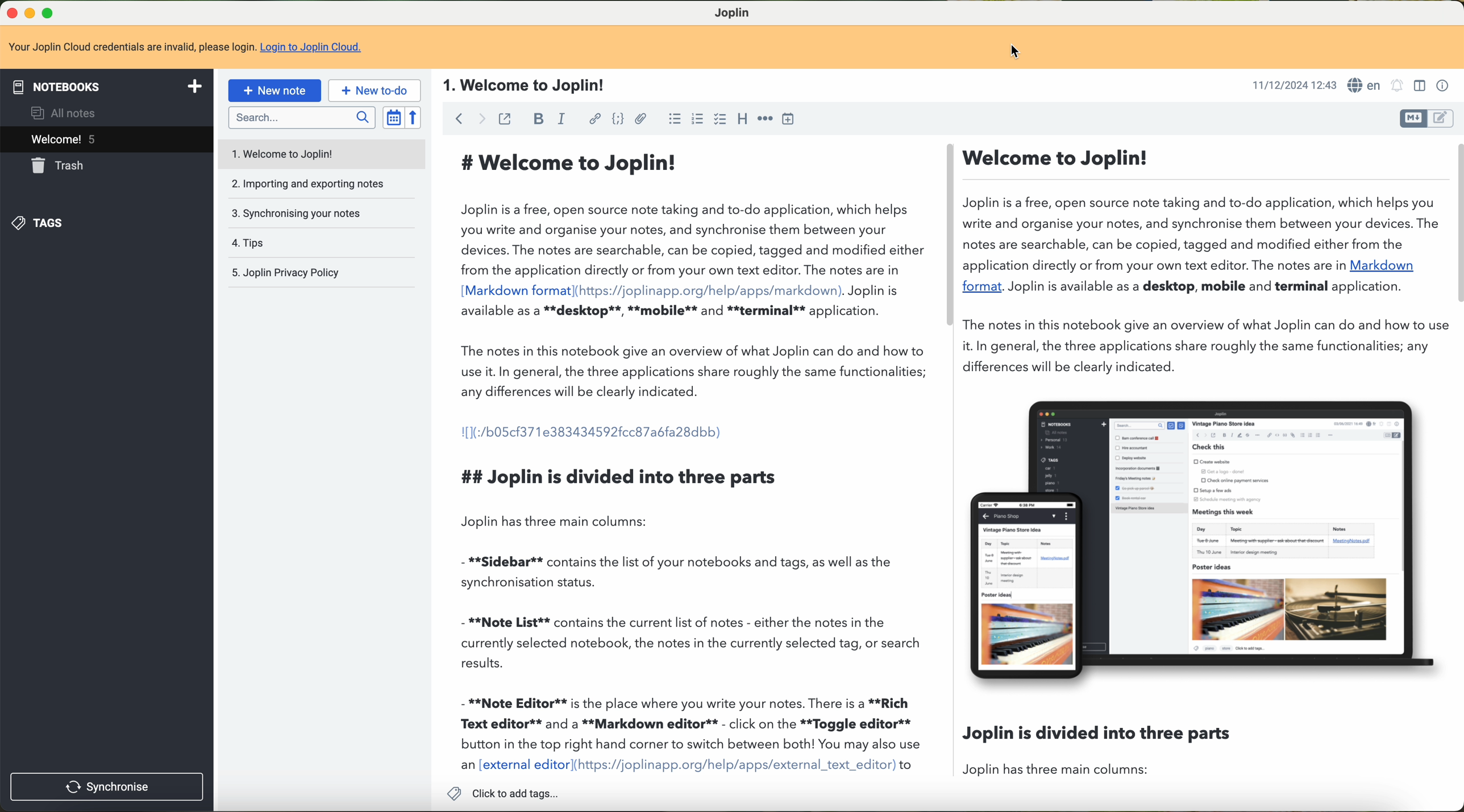  What do you see at coordinates (643, 119) in the screenshot?
I see `attach file` at bounding box center [643, 119].